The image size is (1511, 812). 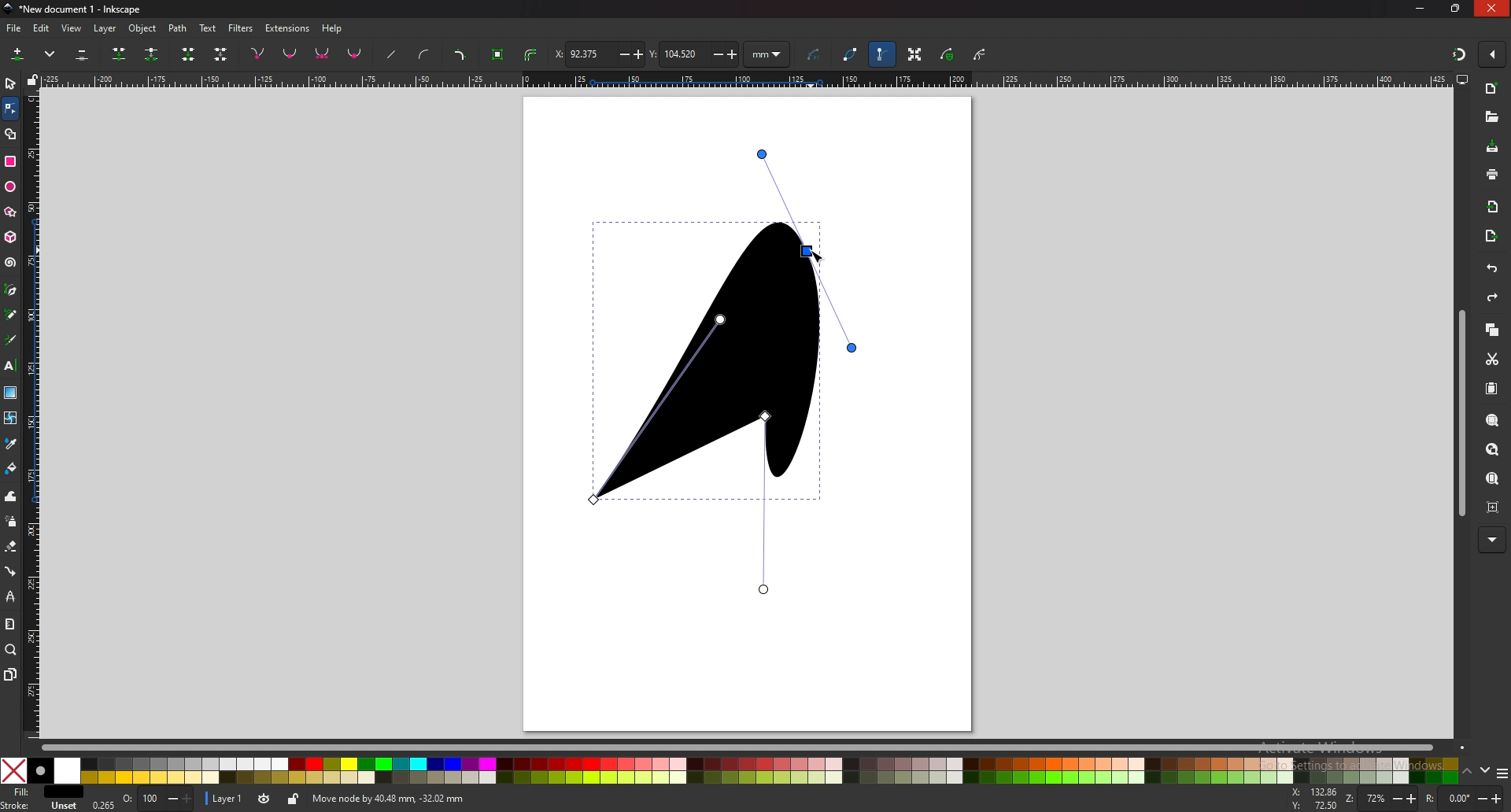 What do you see at coordinates (1492, 389) in the screenshot?
I see `paste` at bounding box center [1492, 389].